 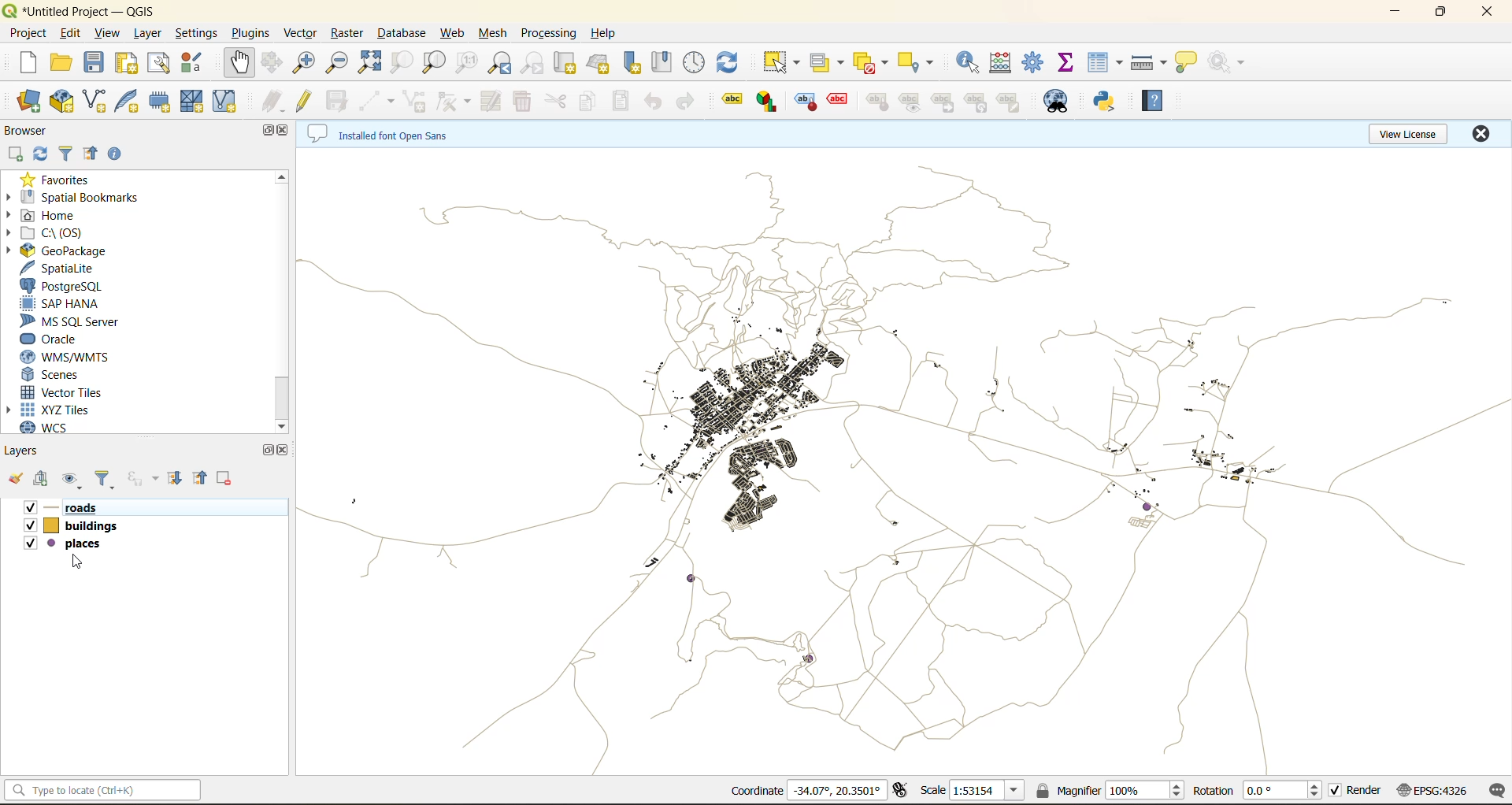 What do you see at coordinates (1106, 67) in the screenshot?
I see `attributes table` at bounding box center [1106, 67].